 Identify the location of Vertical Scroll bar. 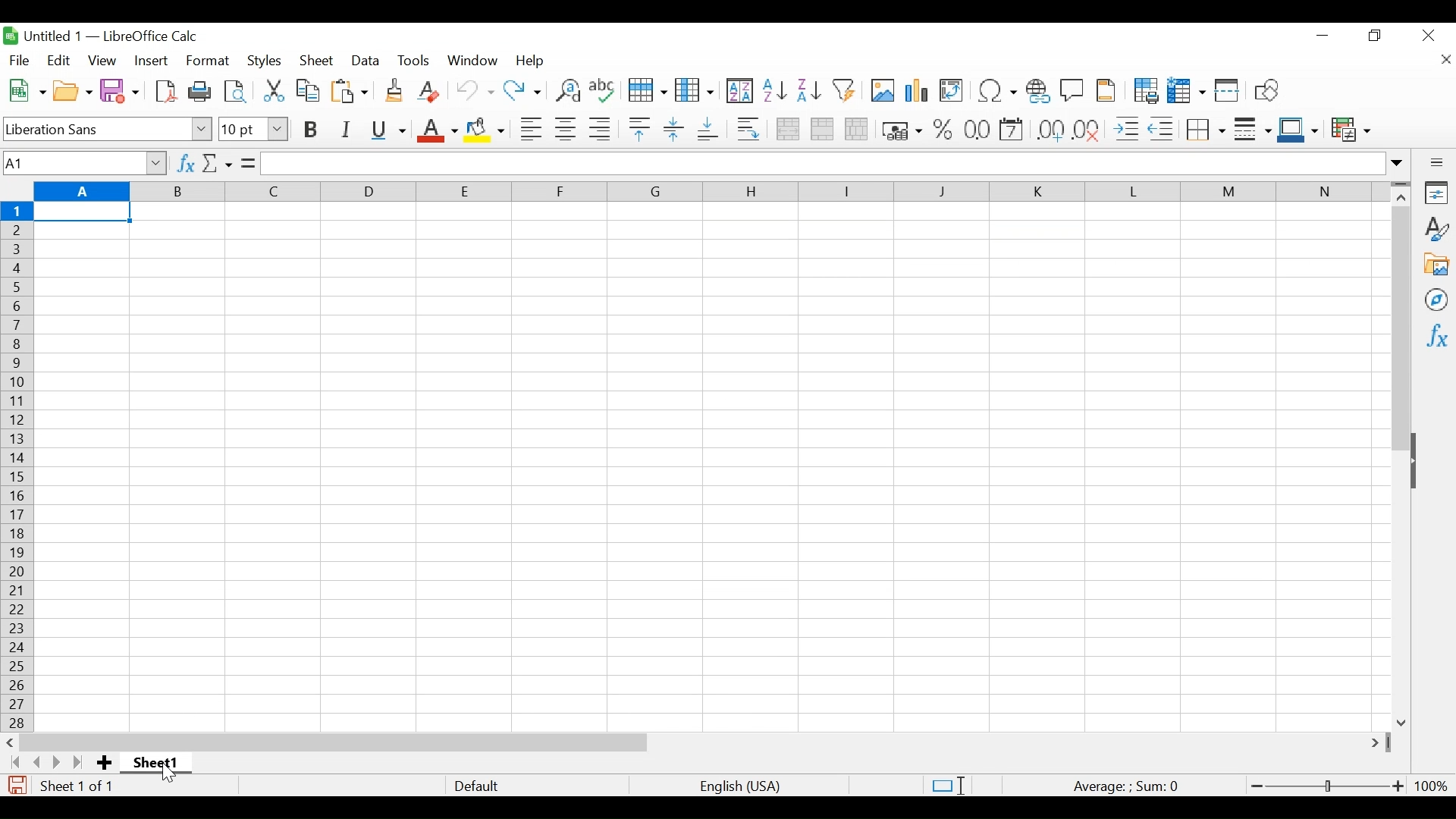
(1401, 330).